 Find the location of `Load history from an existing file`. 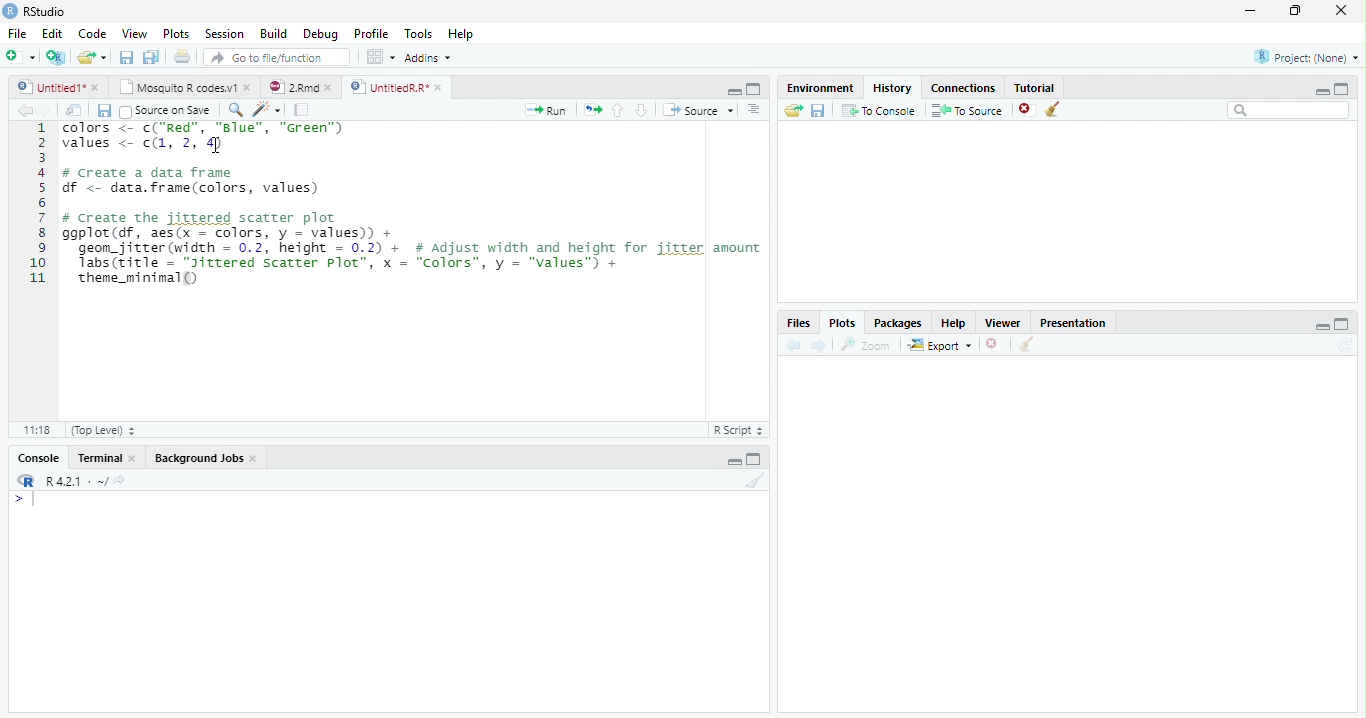

Load history from an existing file is located at coordinates (793, 110).